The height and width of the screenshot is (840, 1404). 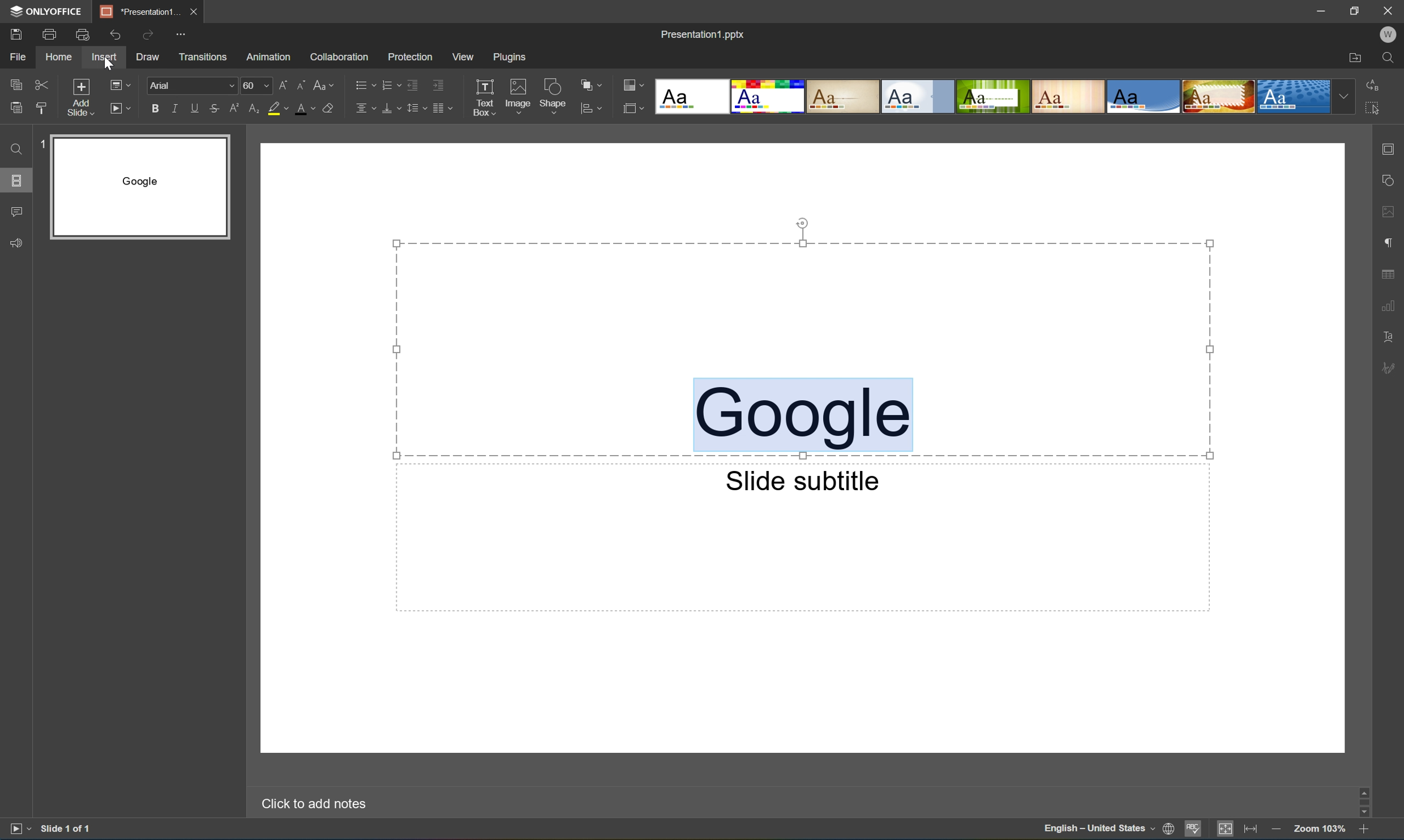 What do you see at coordinates (416, 108) in the screenshot?
I see `Line spacing` at bounding box center [416, 108].